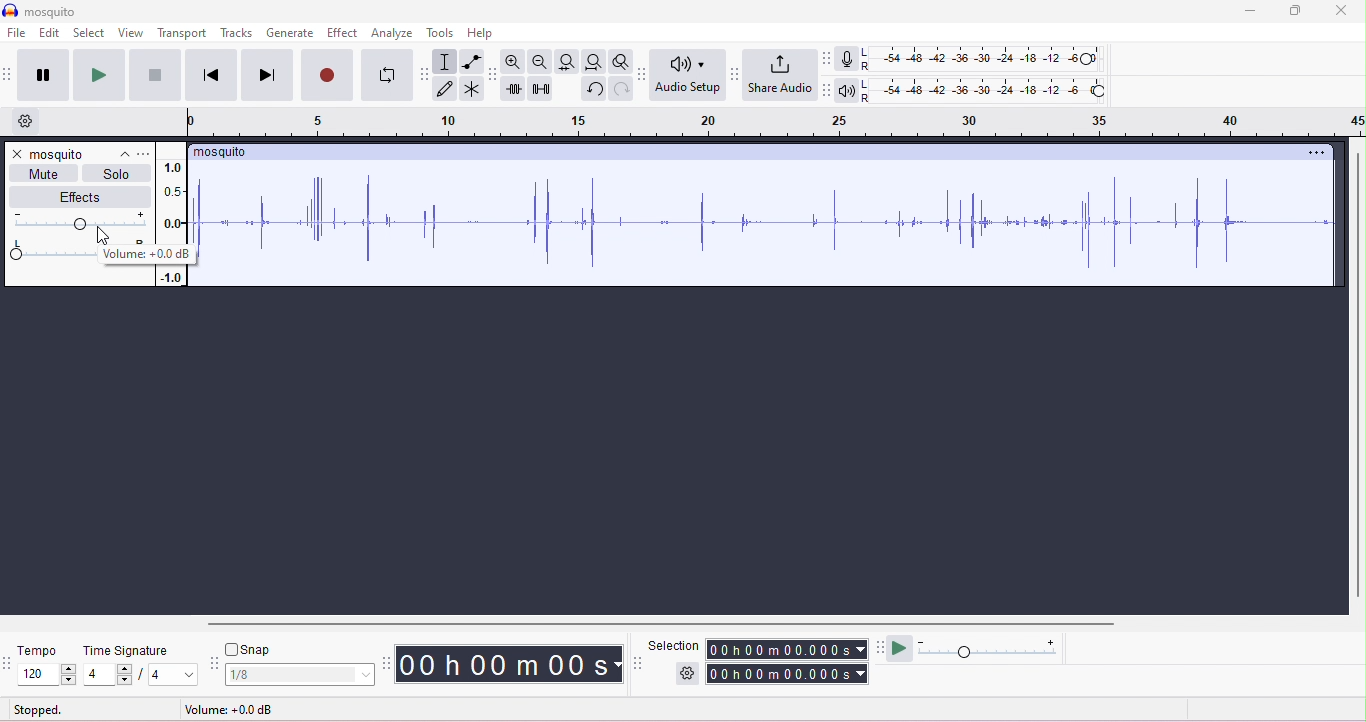  What do you see at coordinates (79, 222) in the screenshot?
I see `volume` at bounding box center [79, 222].